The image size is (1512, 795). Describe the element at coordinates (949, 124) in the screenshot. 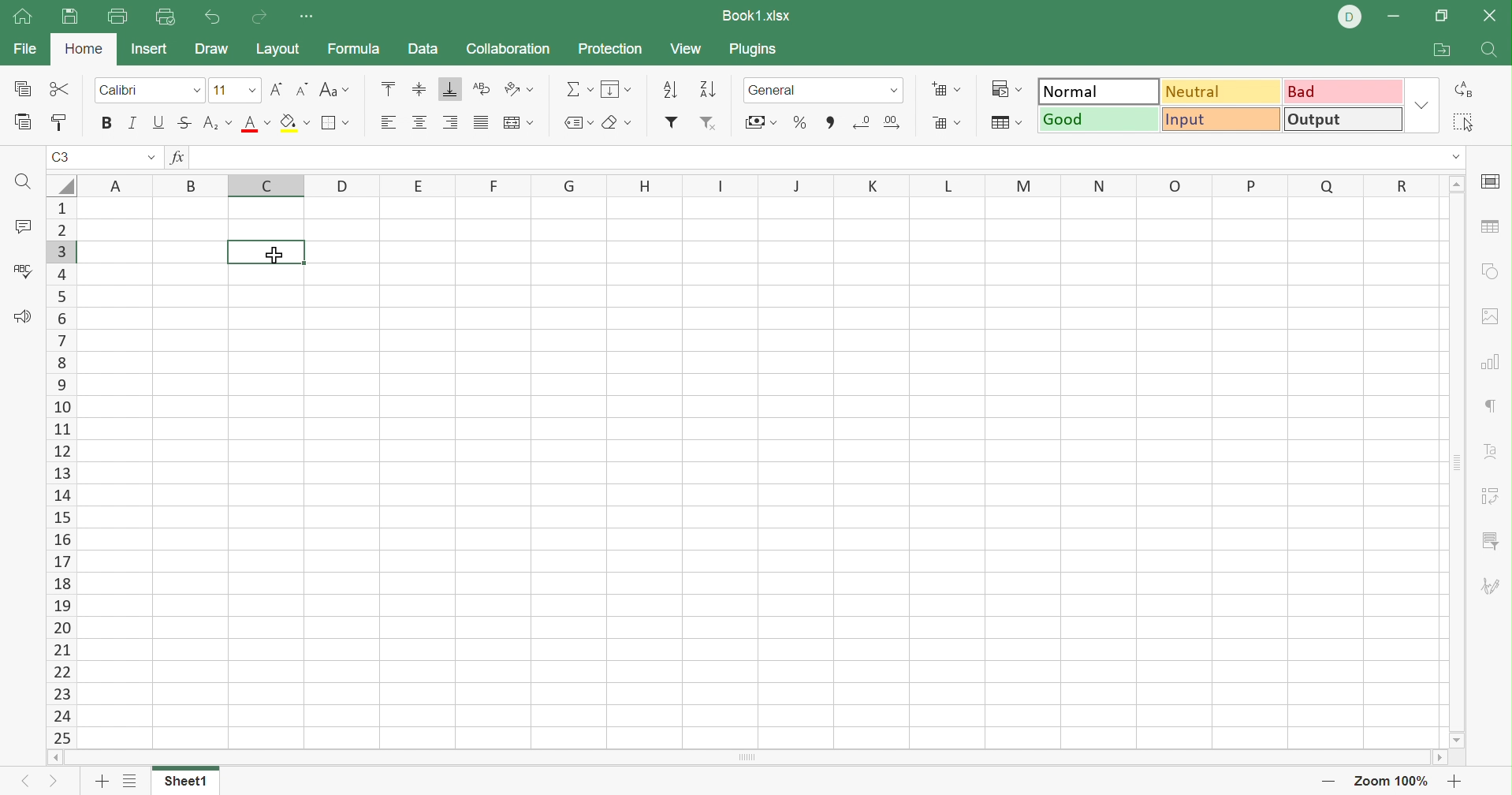

I see `Delete cells` at that location.